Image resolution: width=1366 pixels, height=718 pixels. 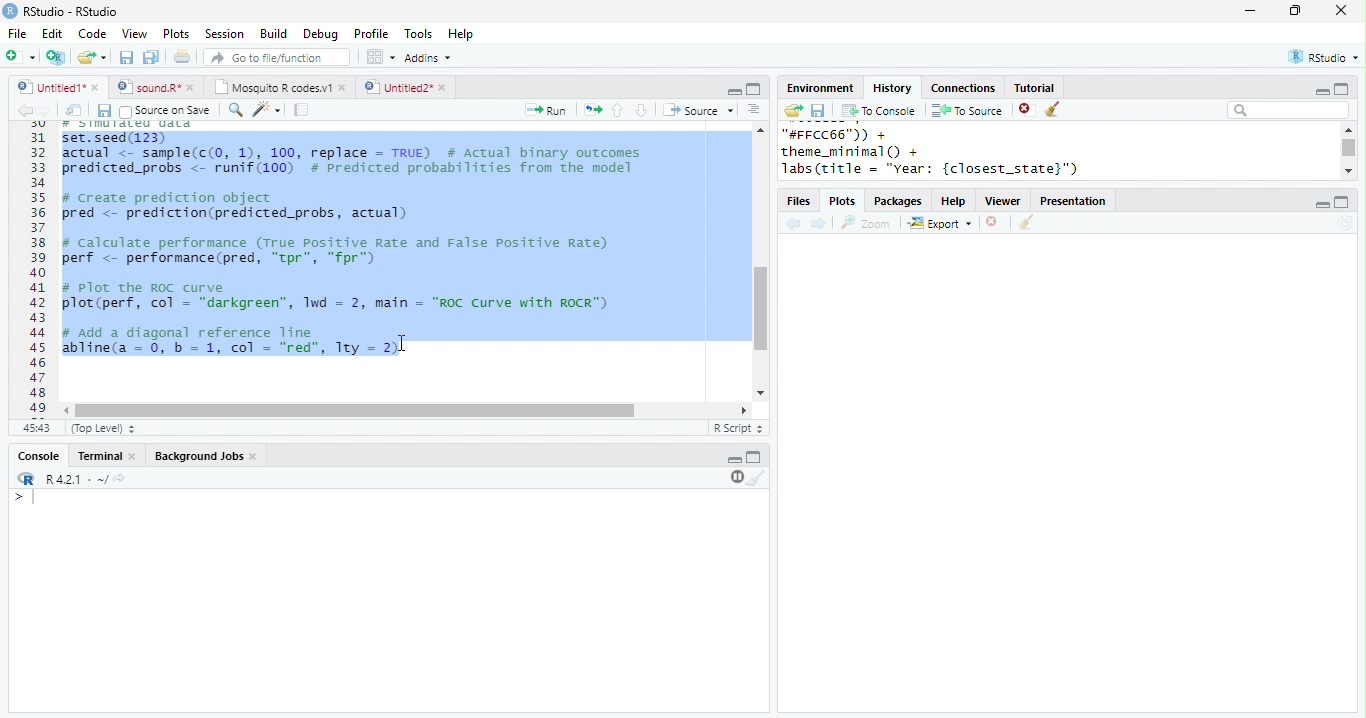 What do you see at coordinates (355, 148) in the screenshot?
I see `simulated data set.seed(123) actual <- sample(c(0, 1), 100, replace = TRUE) # Actual binary outcomespredicted probs < runif(100) # Predicted probabilities from the model` at bounding box center [355, 148].